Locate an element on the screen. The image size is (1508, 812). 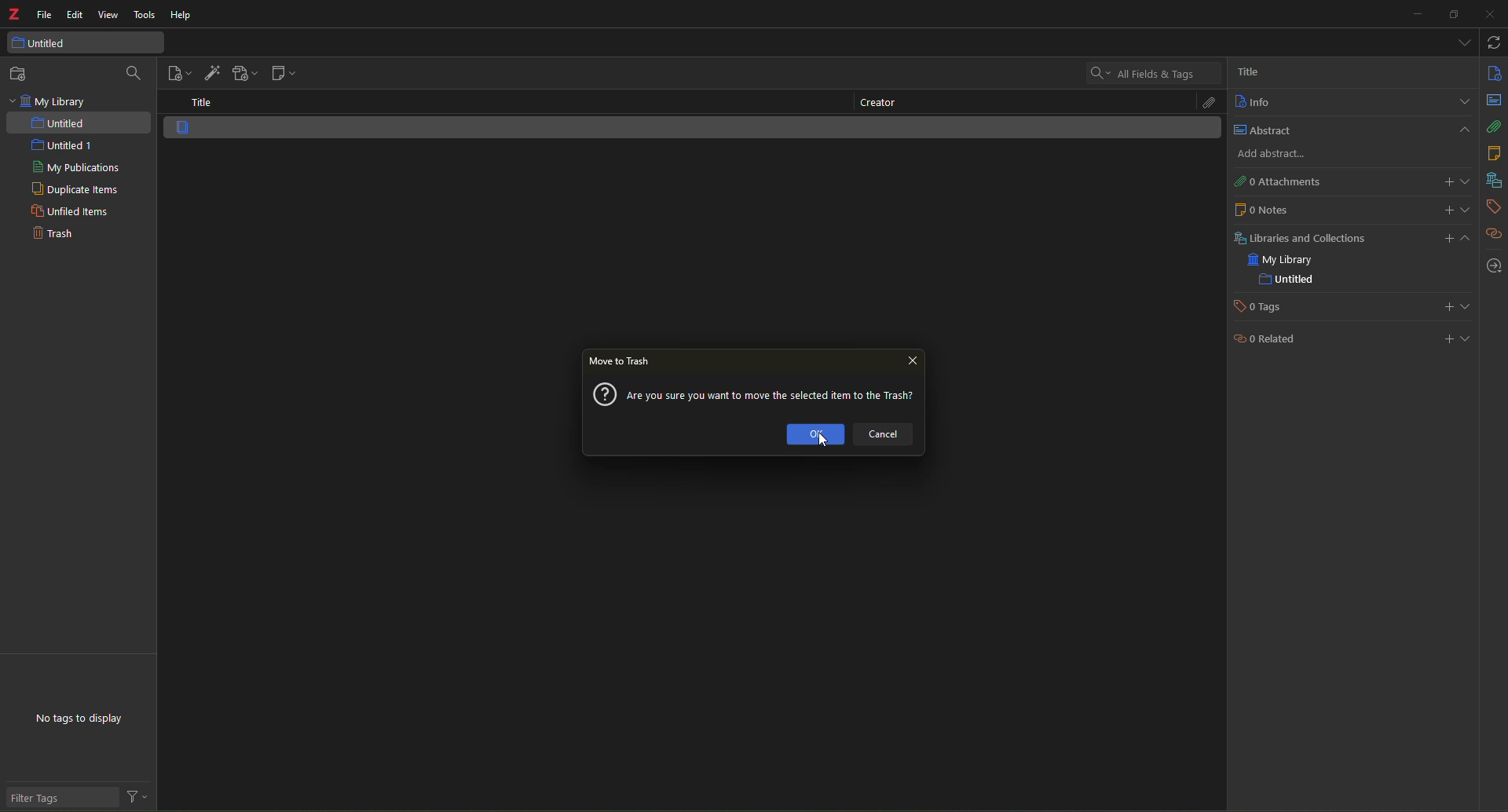
add is located at coordinates (1448, 209).